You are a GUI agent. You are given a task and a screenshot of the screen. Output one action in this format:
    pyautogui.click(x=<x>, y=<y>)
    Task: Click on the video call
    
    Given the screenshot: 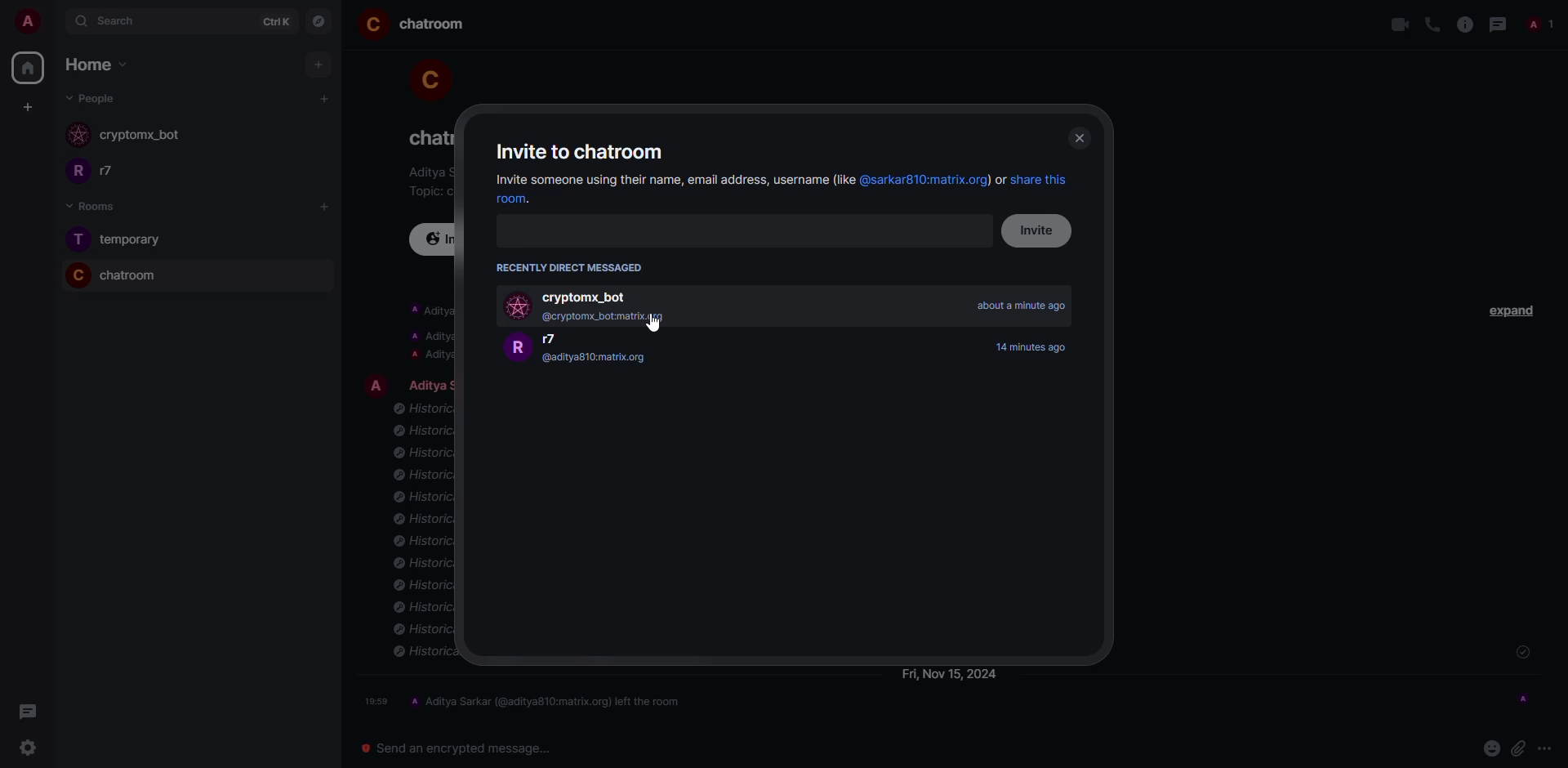 What is the action you would take?
    pyautogui.click(x=1399, y=25)
    